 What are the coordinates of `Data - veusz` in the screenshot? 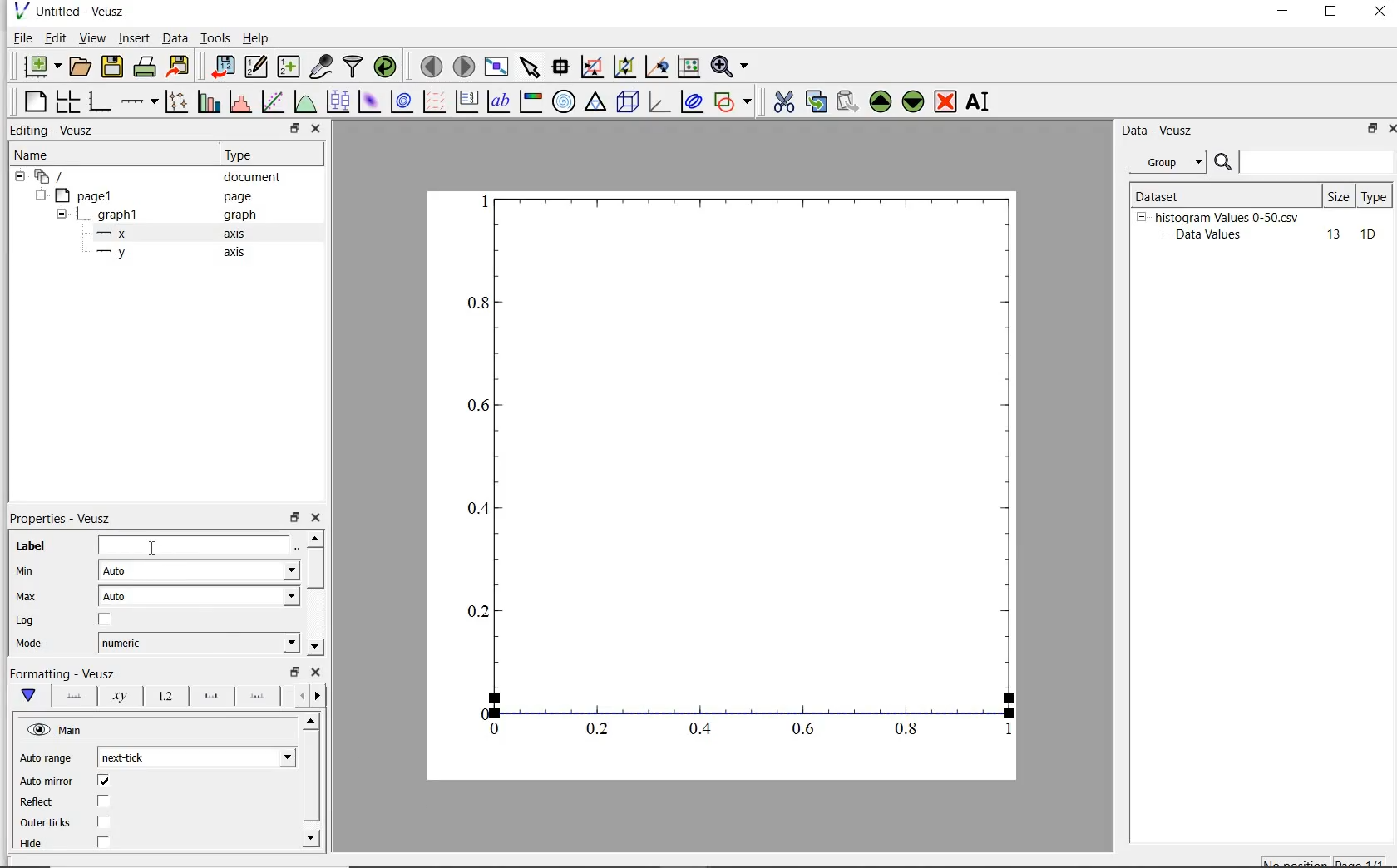 It's located at (1160, 131).